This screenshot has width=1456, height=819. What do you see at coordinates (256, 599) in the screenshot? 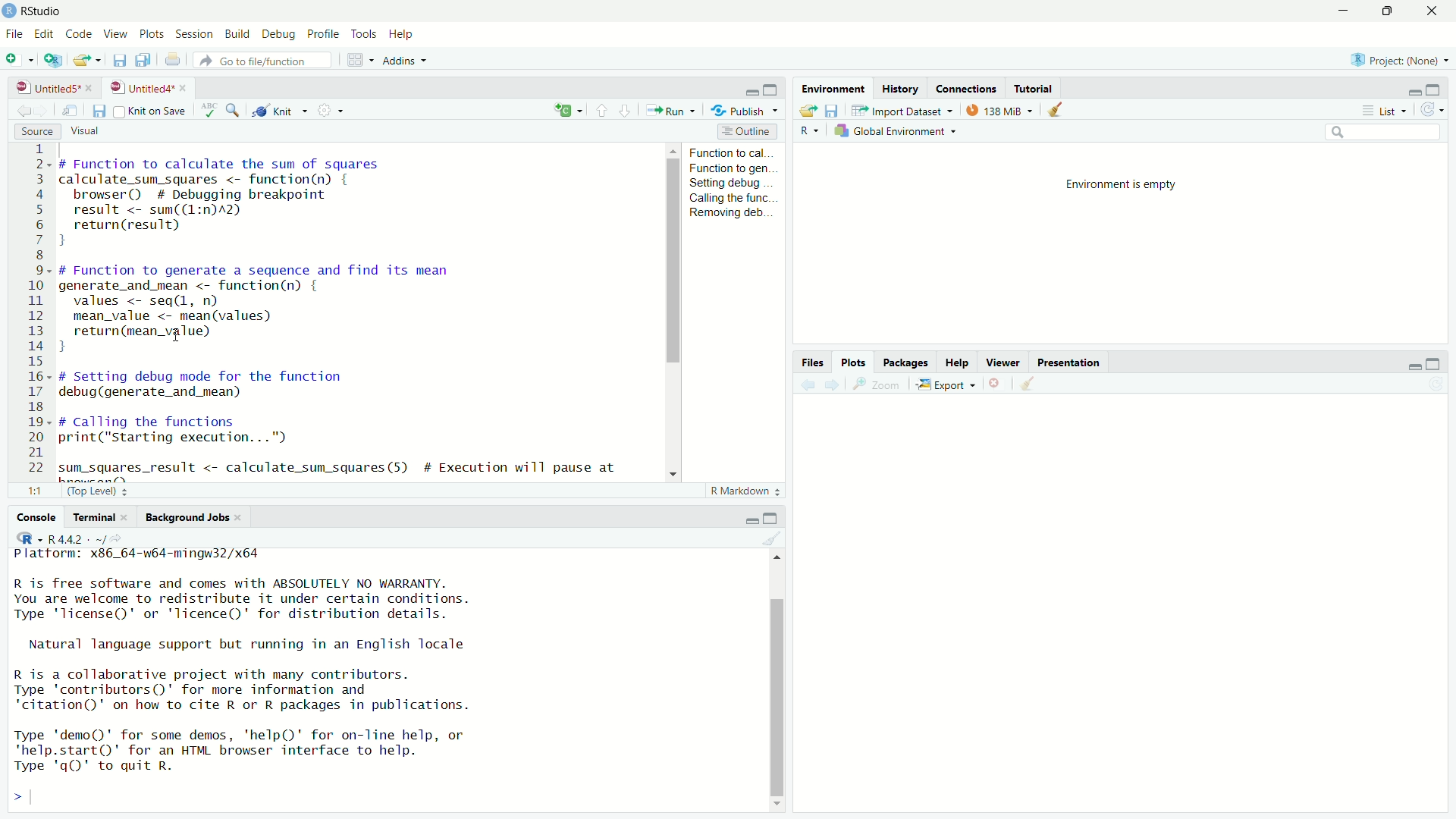
I see `R is free software and comes with ABSOLUTELY NO WARRANTY.
You are welcome to redistribute it under certain conditions.
Type 'Ticense()' or 'licence()' for distribution details.` at bounding box center [256, 599].